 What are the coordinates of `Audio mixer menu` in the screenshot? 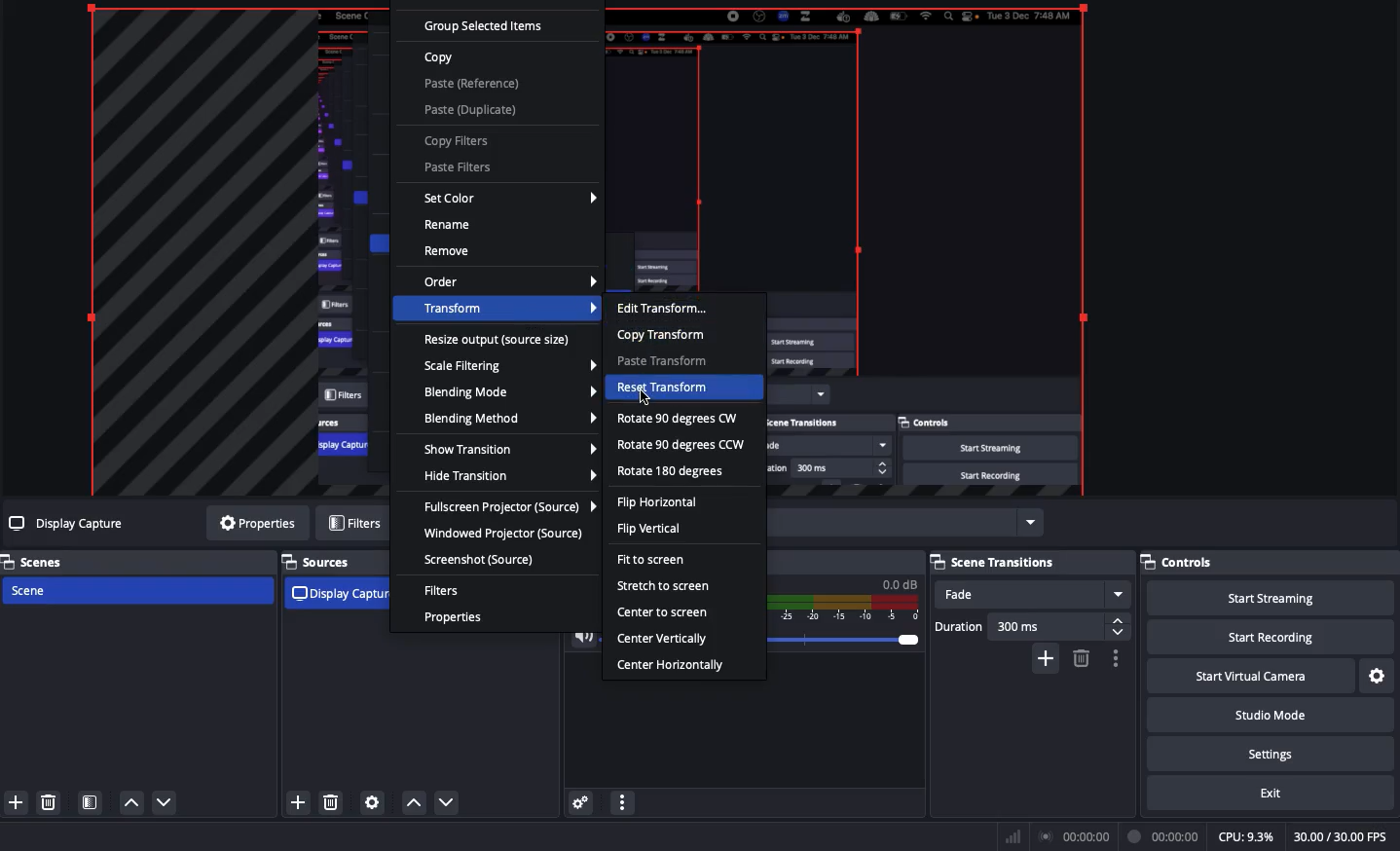 It's located at (623, 800).